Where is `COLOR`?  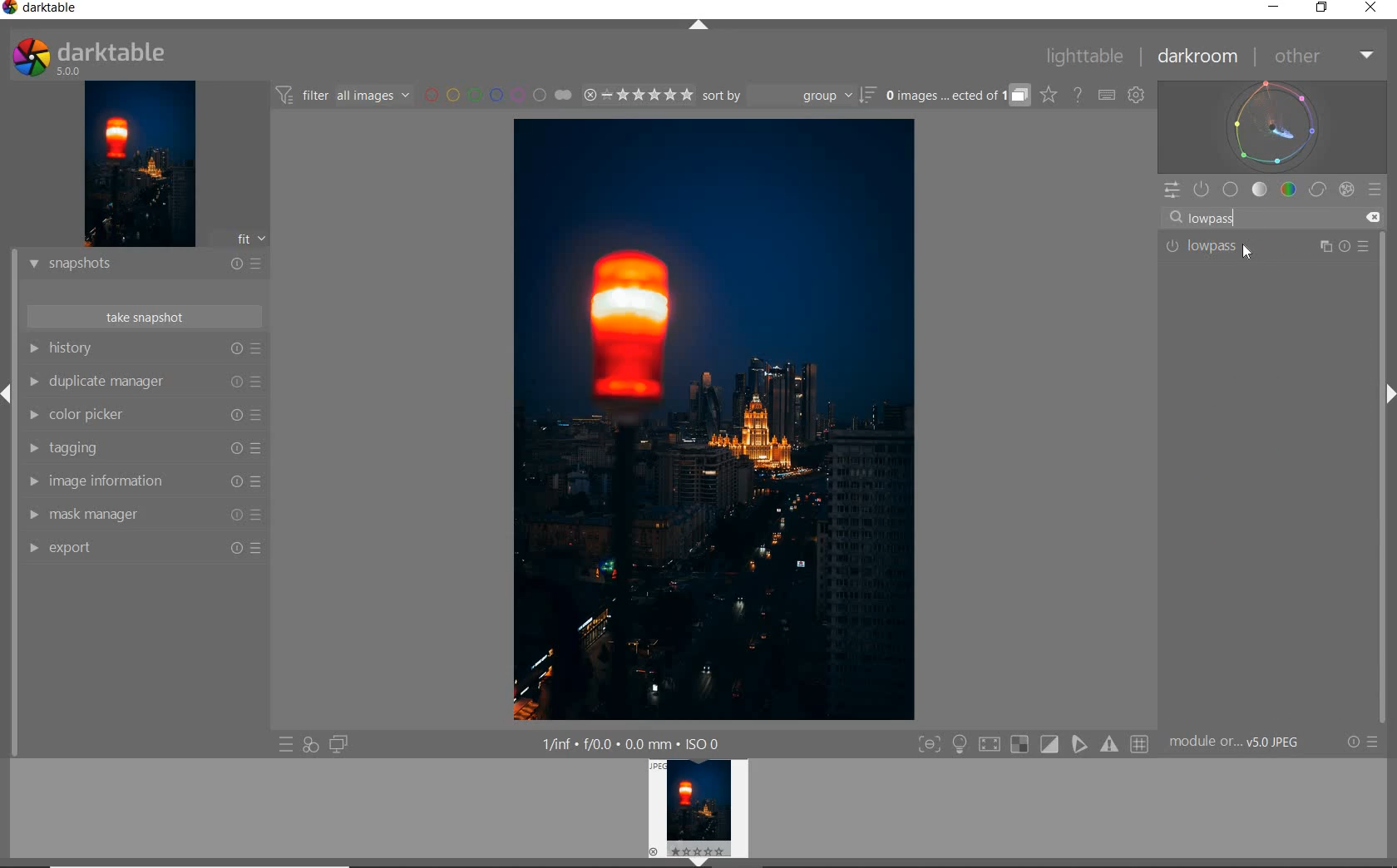 COLOR is located at coordinates (1288, 190).